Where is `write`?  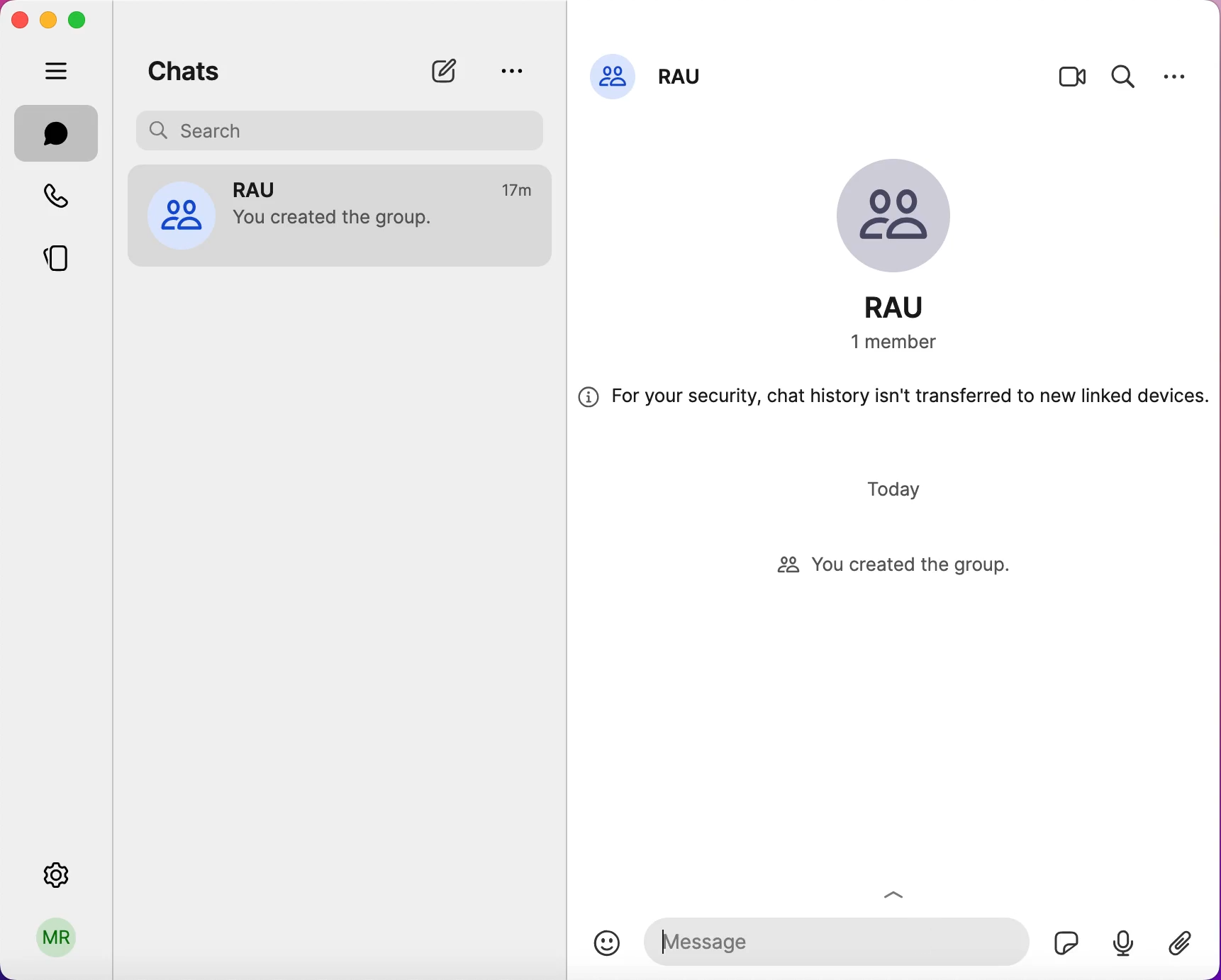
write is located at coordinates (451, 71).